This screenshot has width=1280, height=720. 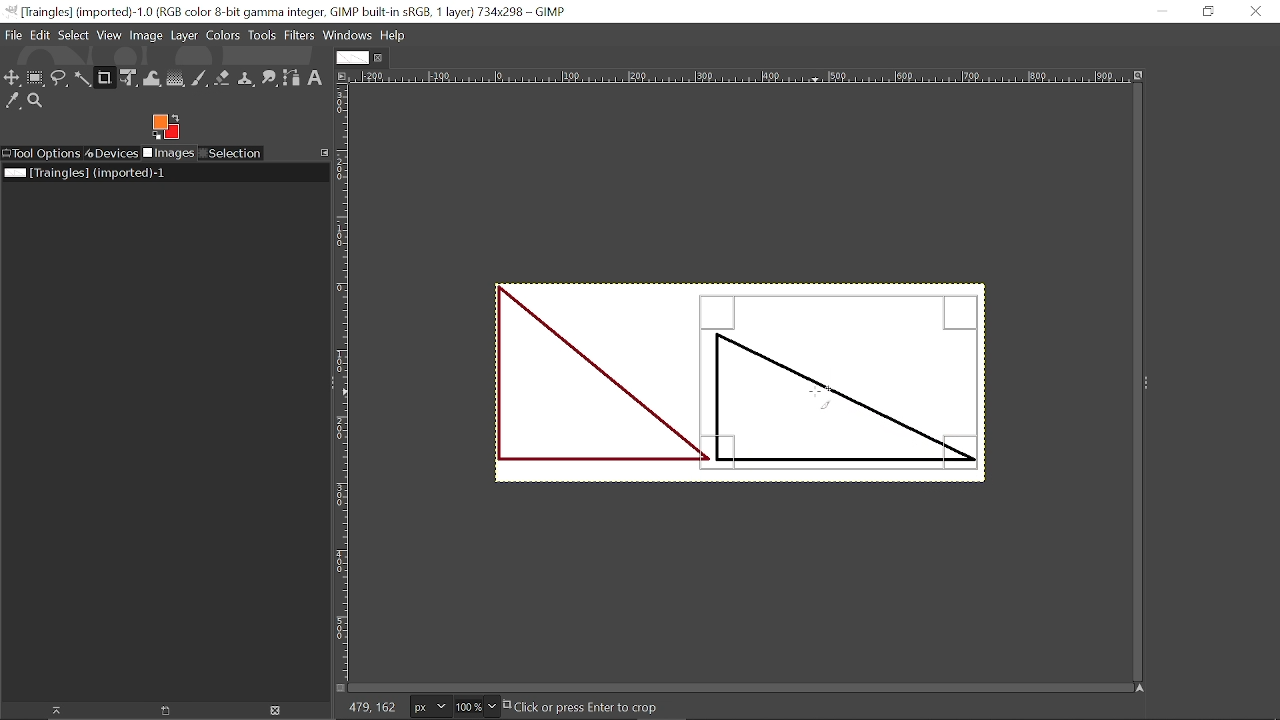 What do you see at coordinates (223, 37) in the screenshot?
I see `Colors` at bounding box center [223, 37].